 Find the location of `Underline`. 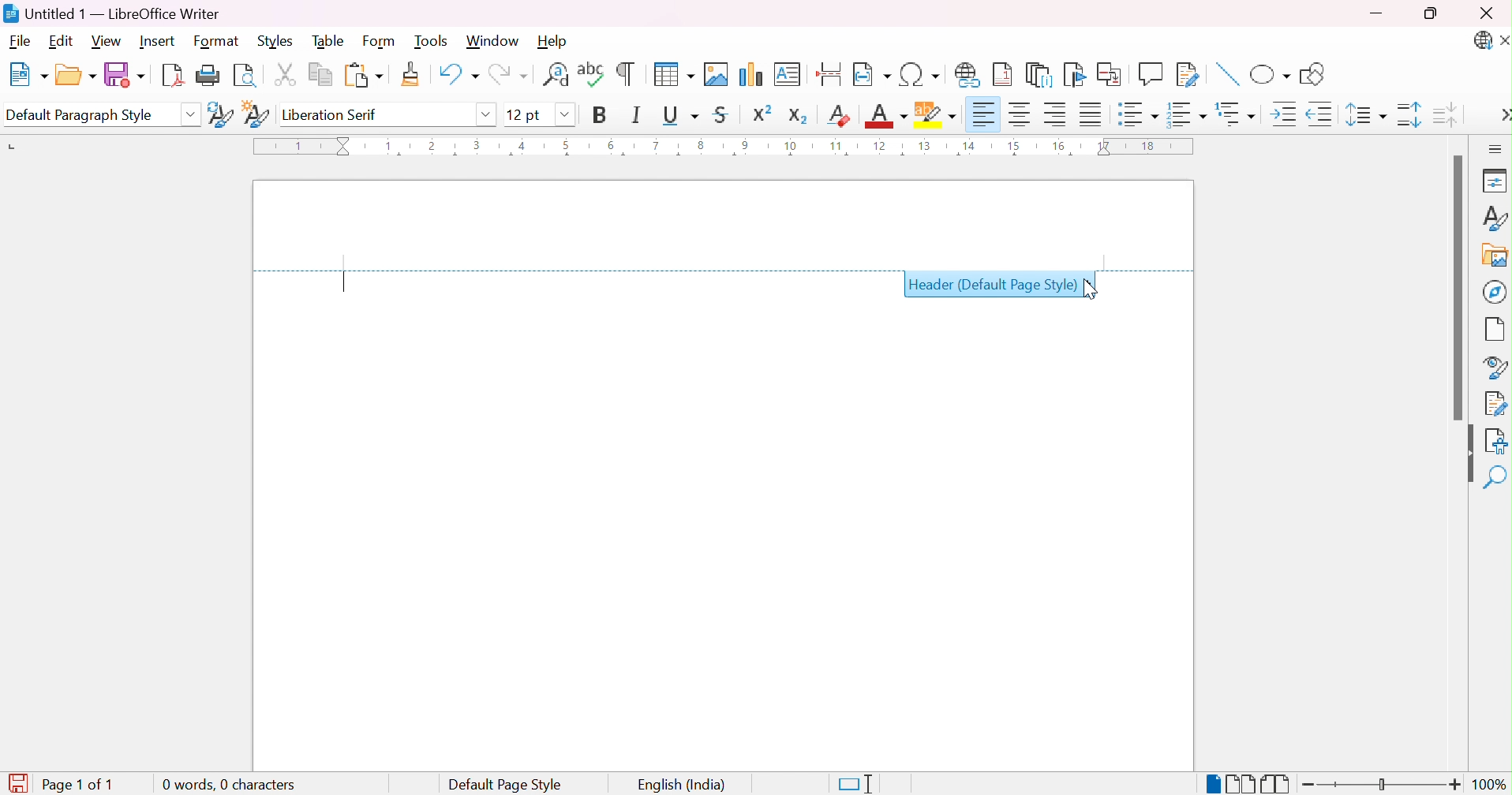

Underline is located at coordinates (680, 115).